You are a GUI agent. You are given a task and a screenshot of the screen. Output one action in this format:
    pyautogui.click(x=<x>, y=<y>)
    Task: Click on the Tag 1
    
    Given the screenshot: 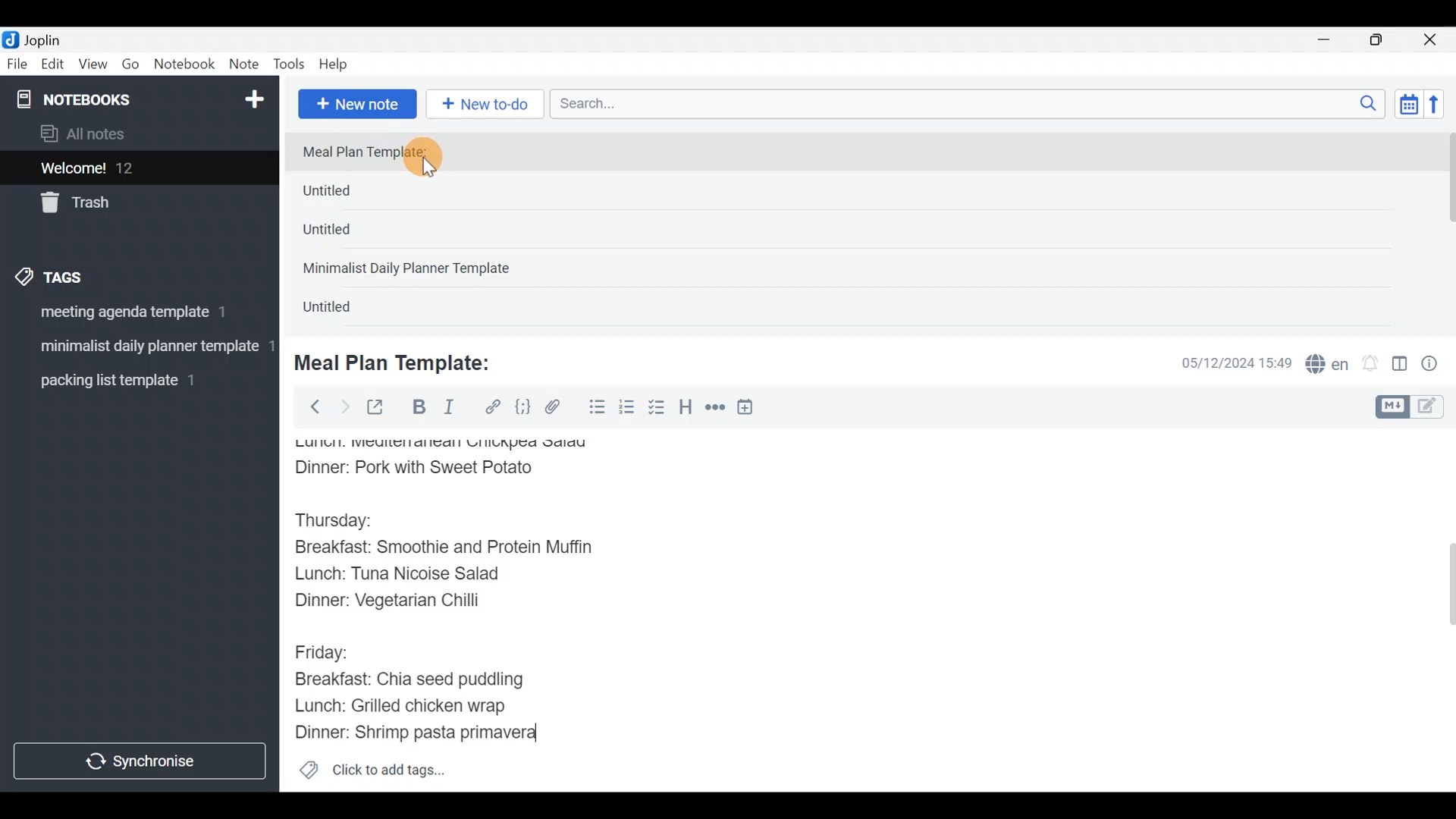 What is the action you would take?
    pyautogui.click(x=135, y=316)
    